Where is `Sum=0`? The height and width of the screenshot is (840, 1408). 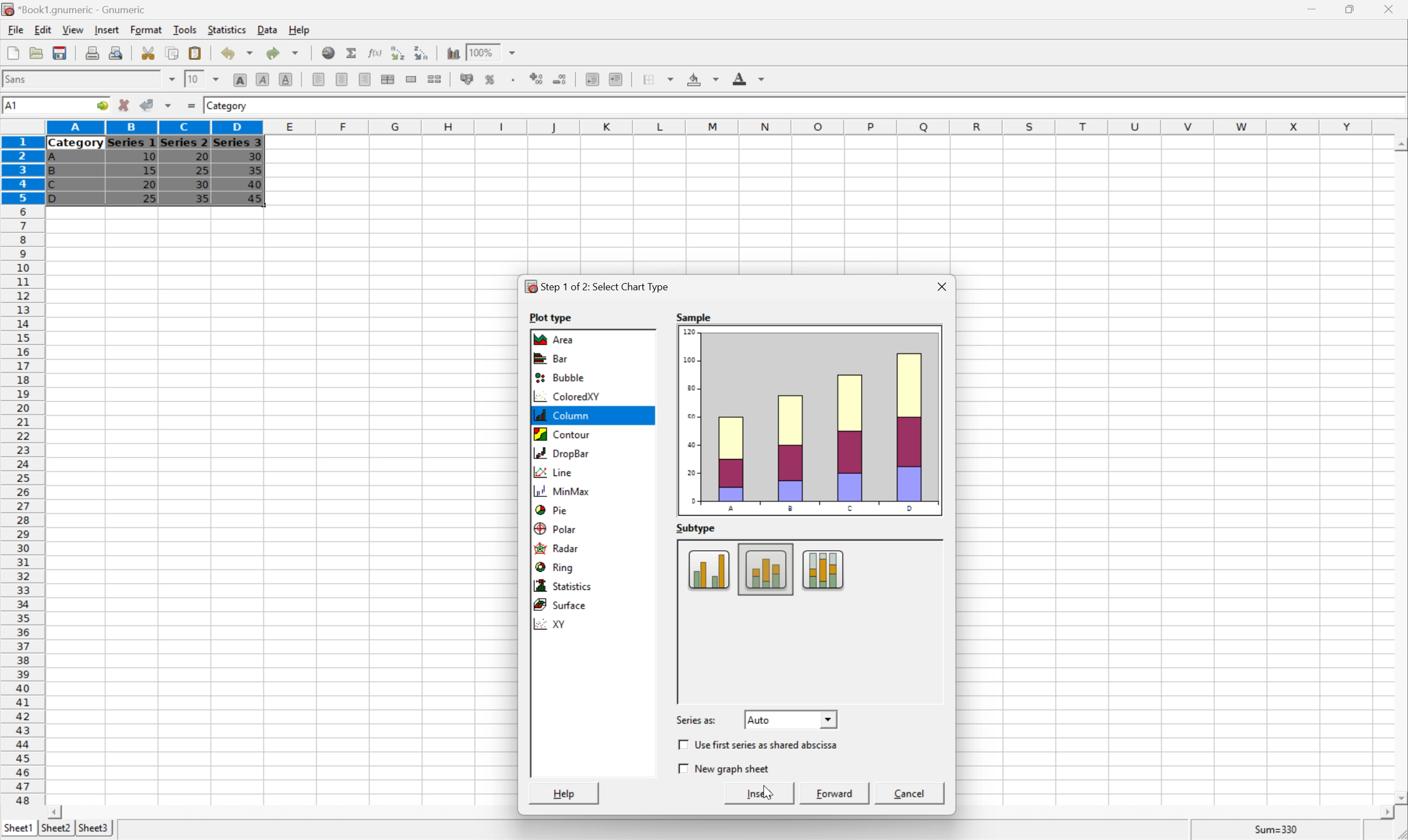
Sum=0 is located at coordinates (1279, 832).